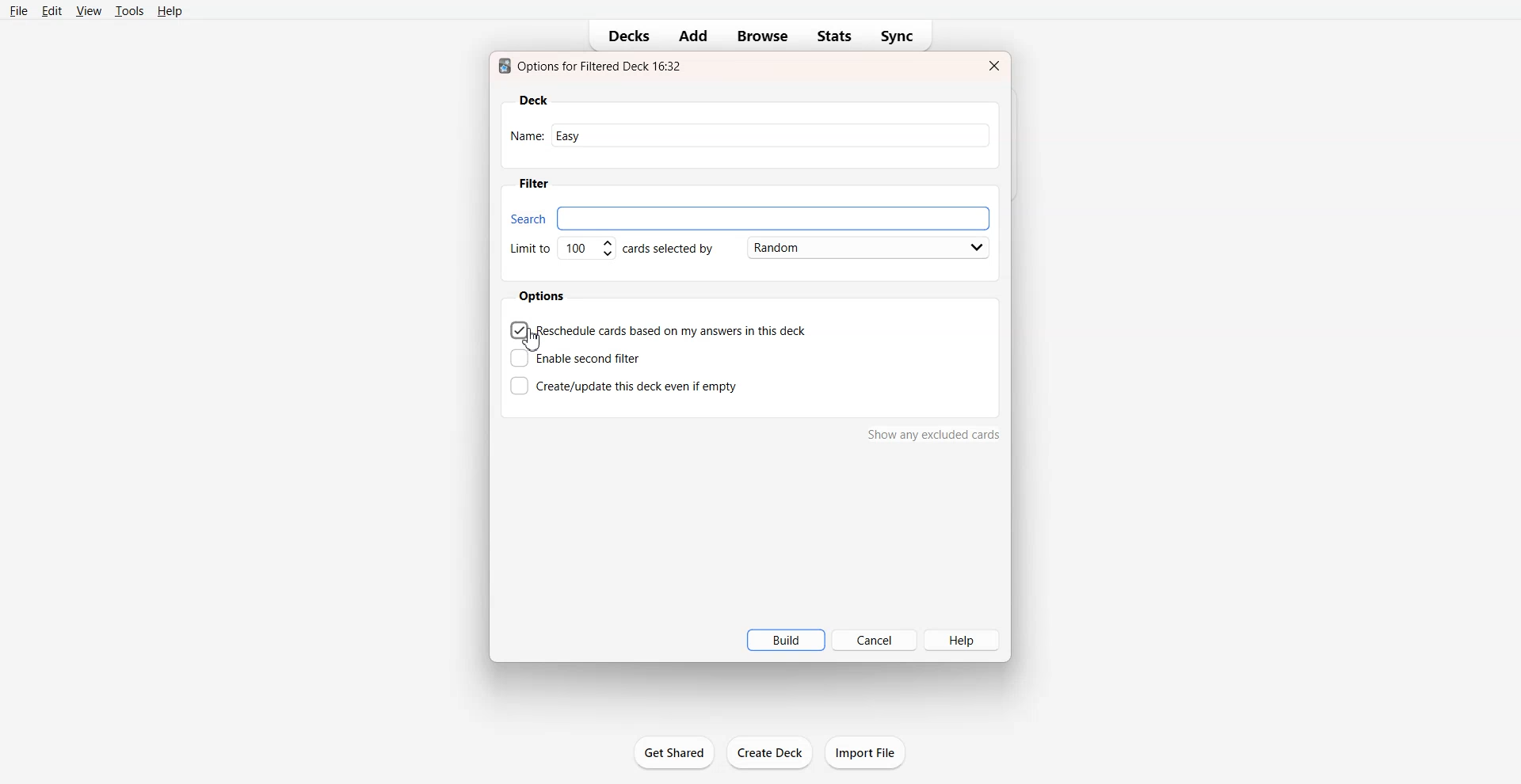  Describe the element at coordinates (19, 10) in the screenshot. I see `File` at that location.